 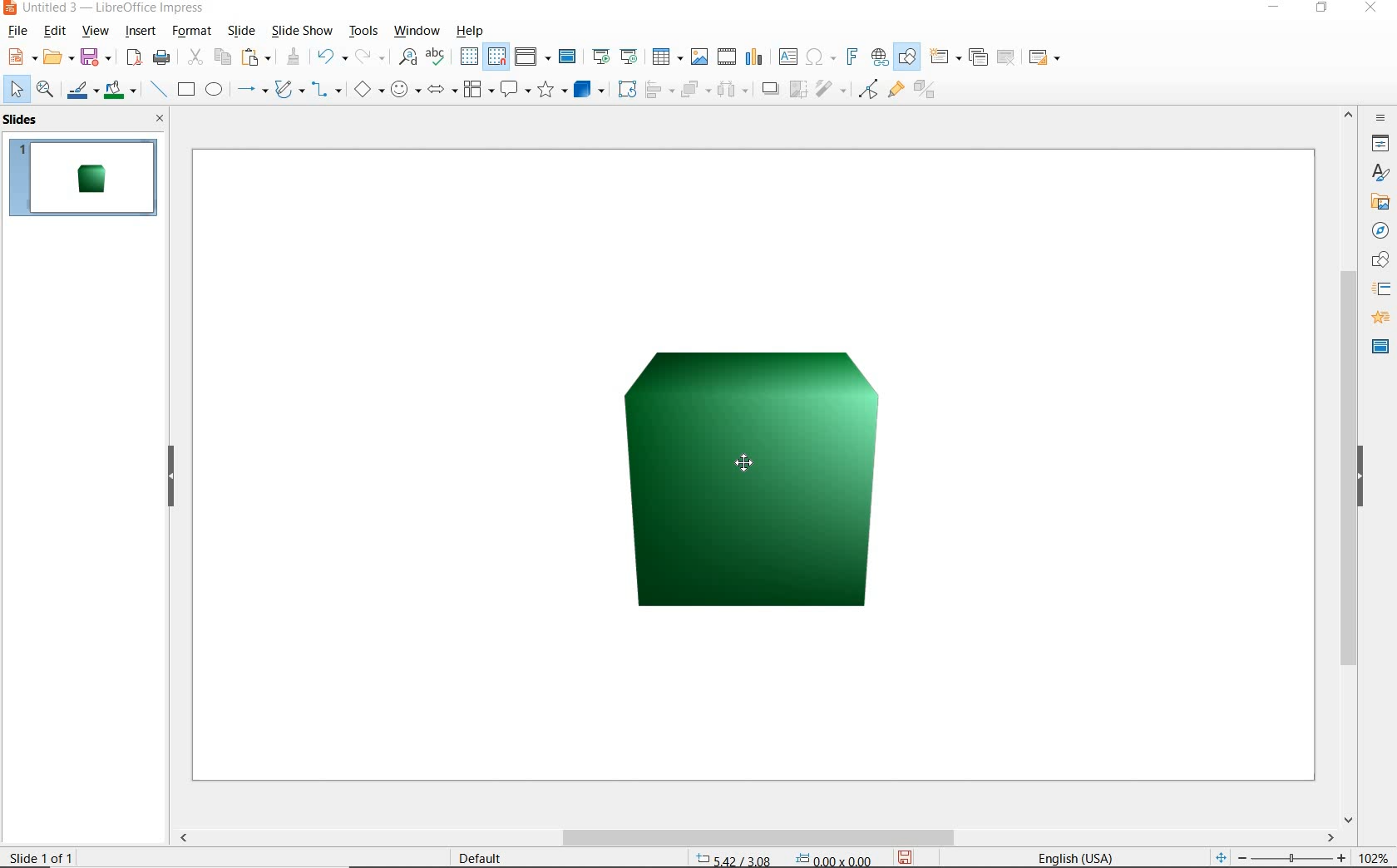 What do you see at coordinates (699, 57) in the screenshot?
I see `insert image` at bounding box center [699, 57].